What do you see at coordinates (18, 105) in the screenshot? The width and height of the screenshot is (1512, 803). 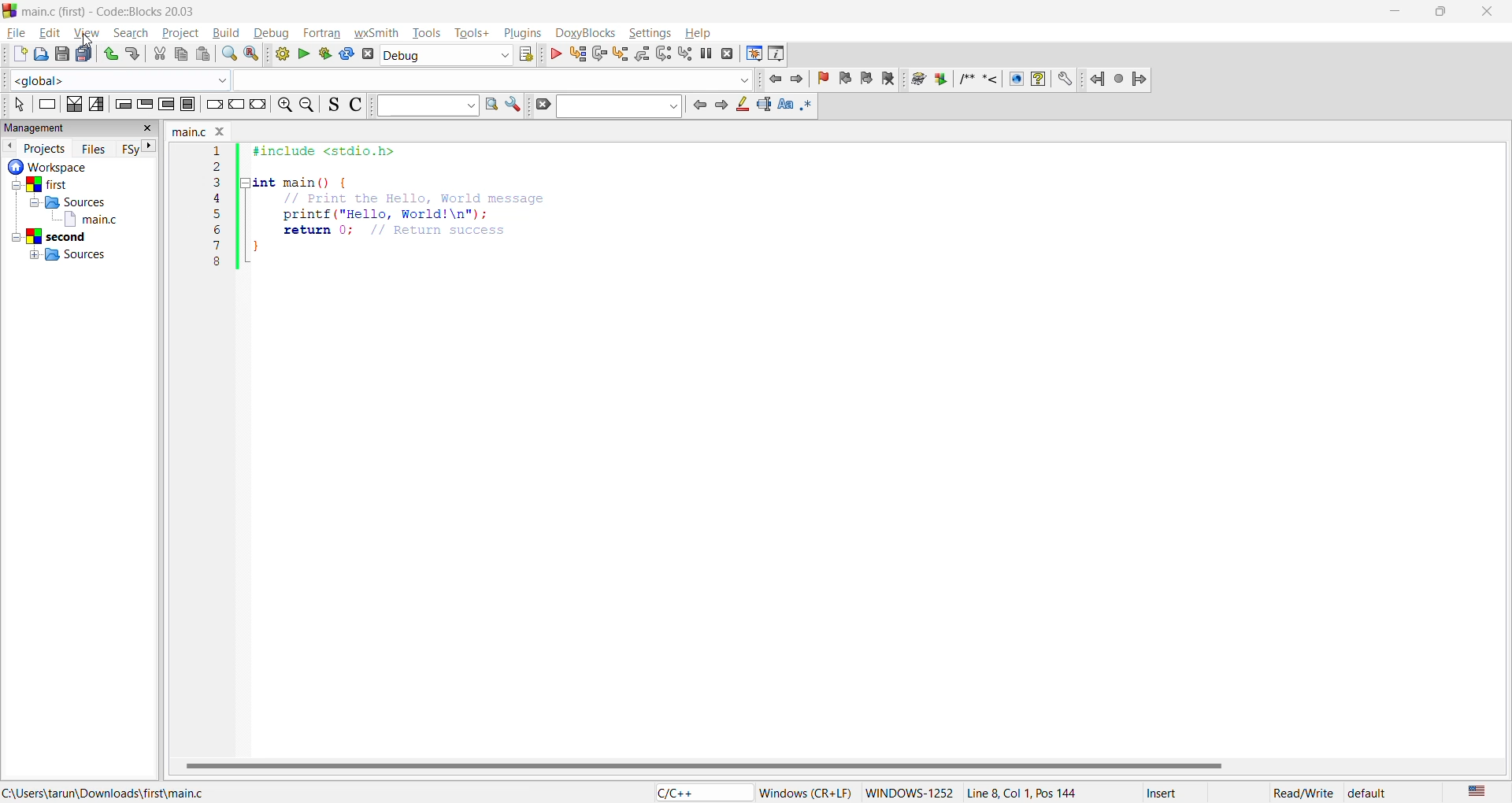 I see `select` at bounding box center [18, 105].